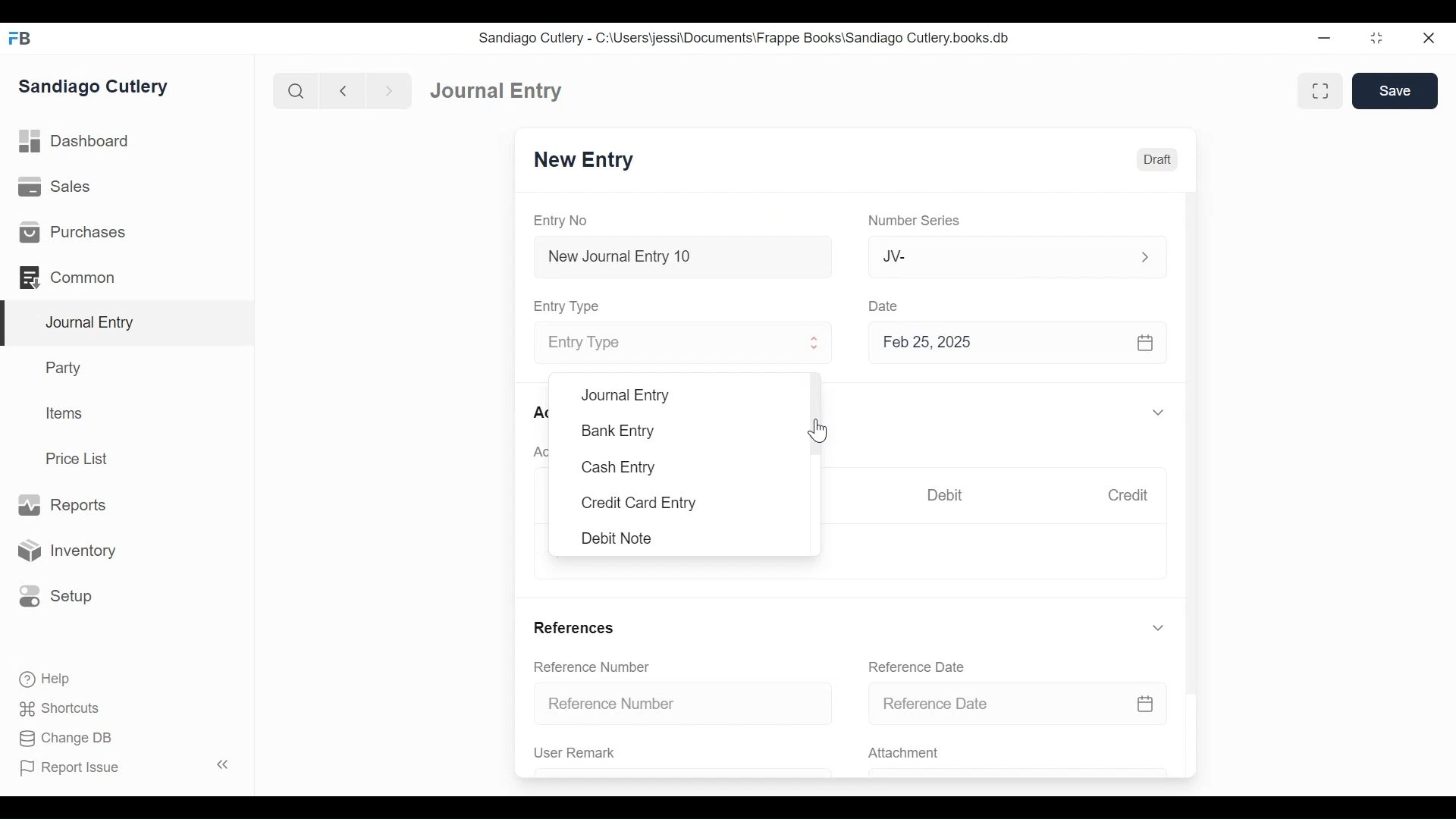  Describe the element at coordinates (1158, 413) in the screenshot. I see `Expand` at that location.